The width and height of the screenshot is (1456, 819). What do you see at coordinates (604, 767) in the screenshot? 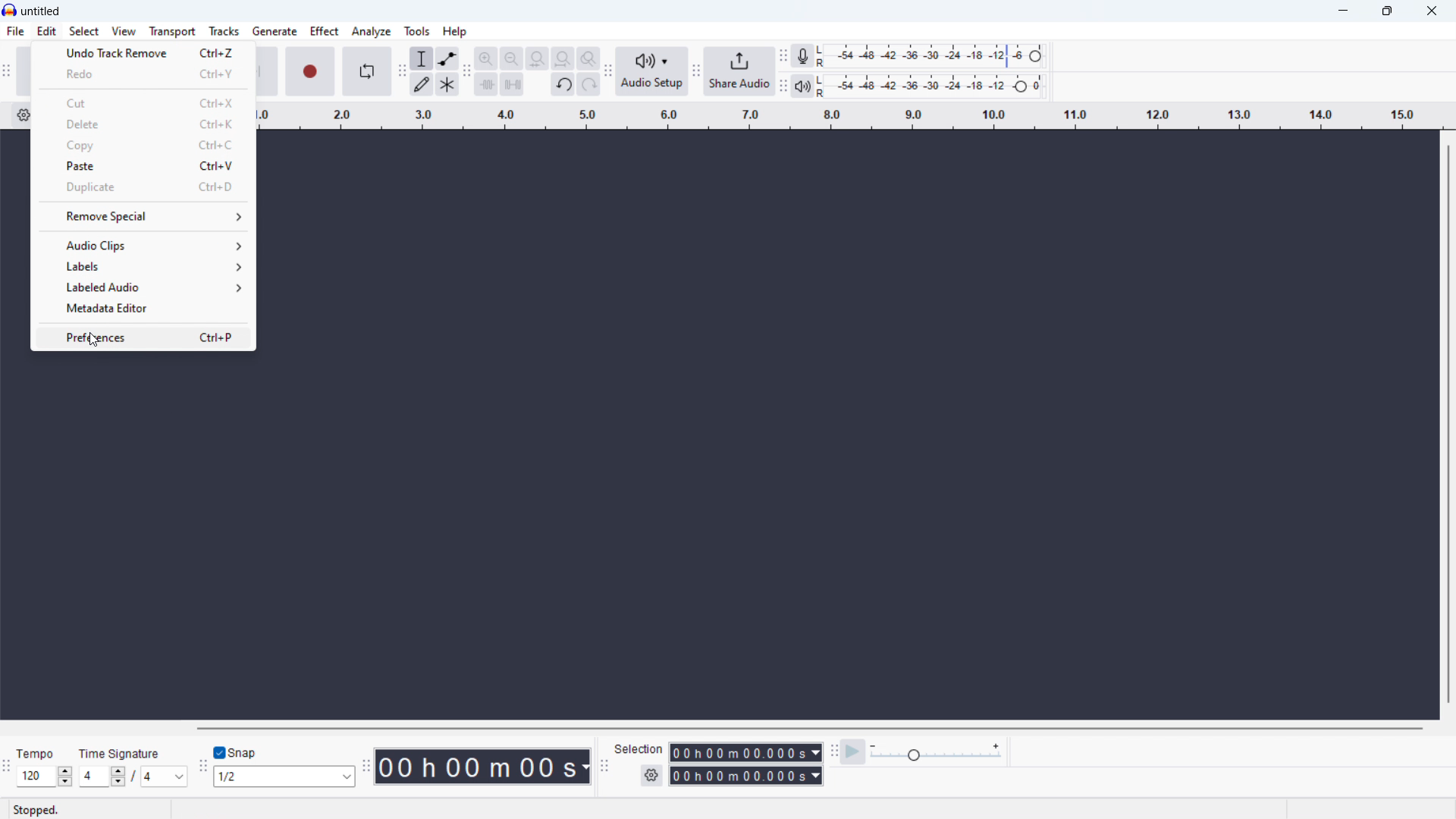
I see `selection toolbar` at bounding box center [604, 767].